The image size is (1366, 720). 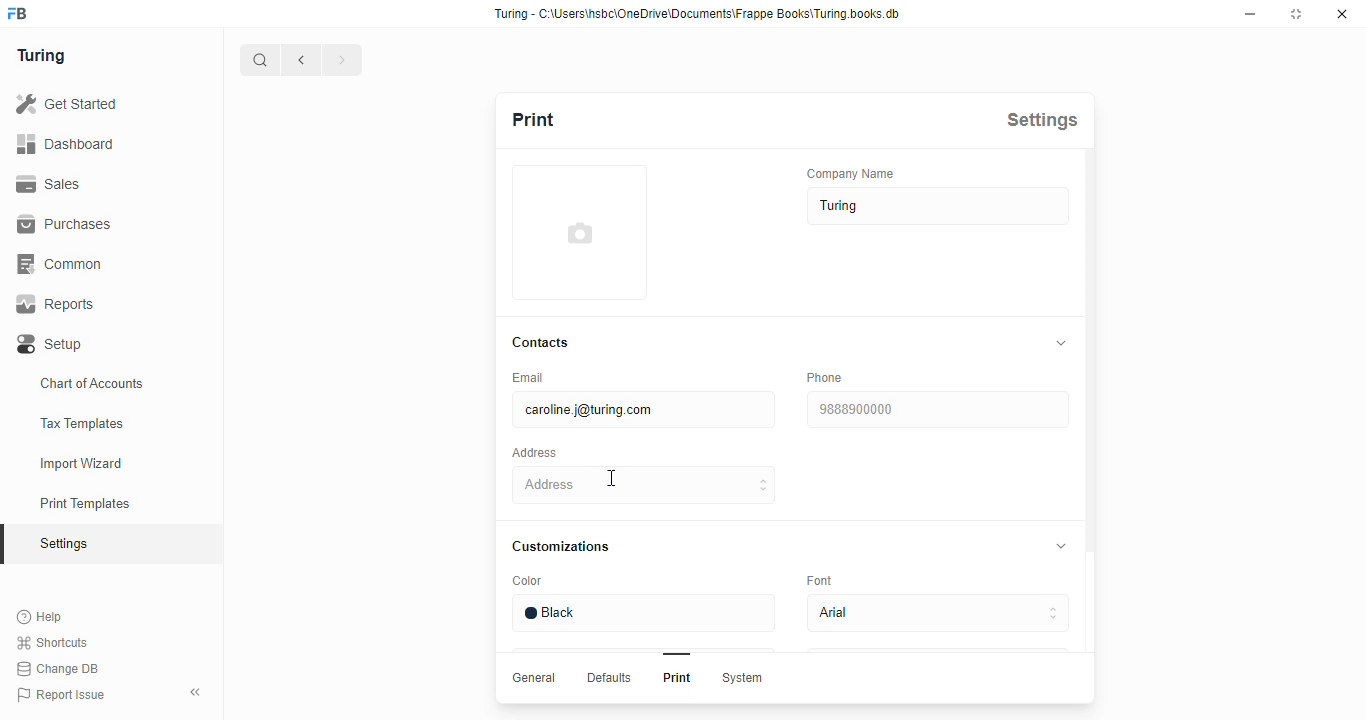 What do you see at coordinates (938, 409) in the screenshot?
I see `9888900000` at bounding box center [938, 409].